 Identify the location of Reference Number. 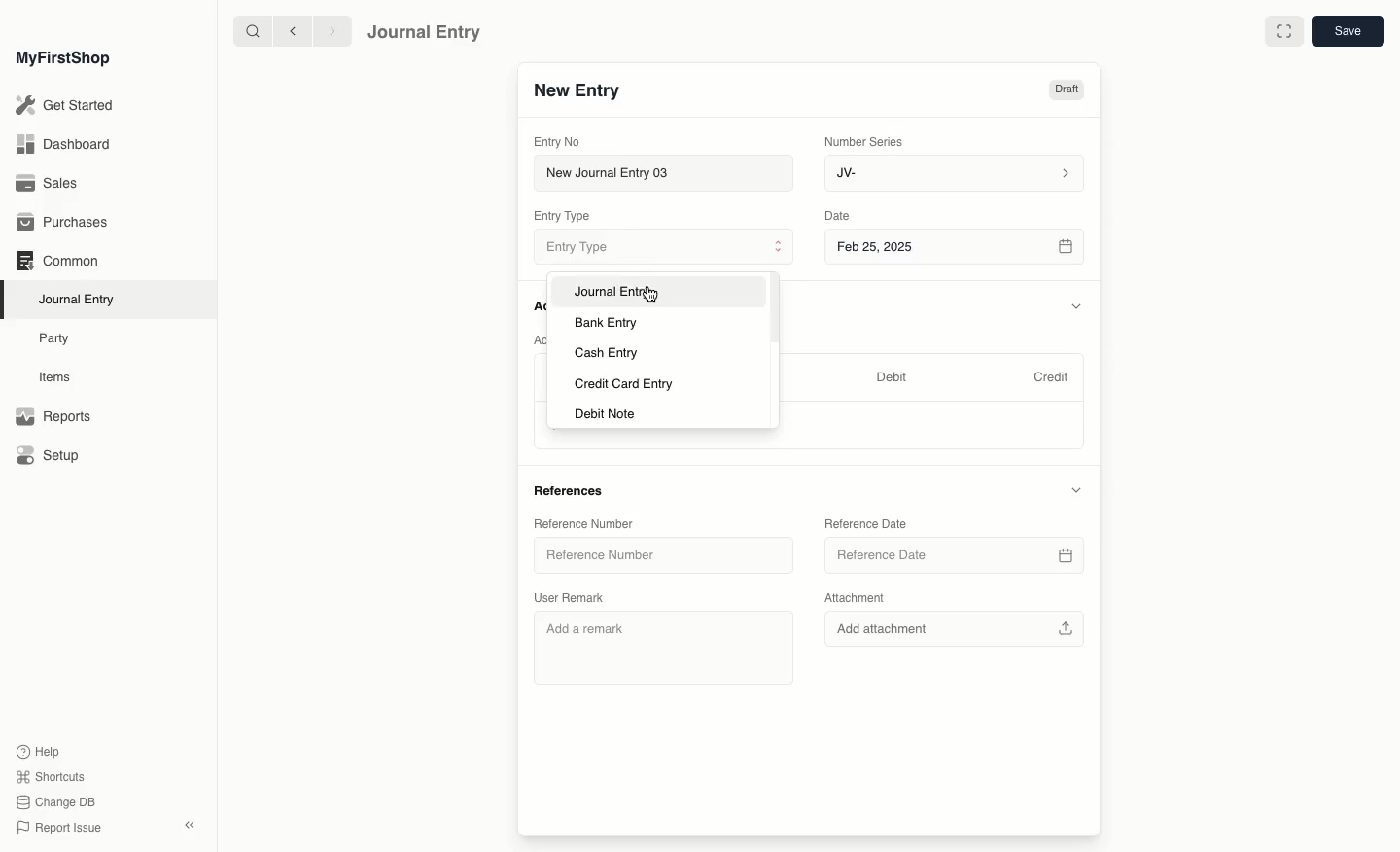
(662, 558).